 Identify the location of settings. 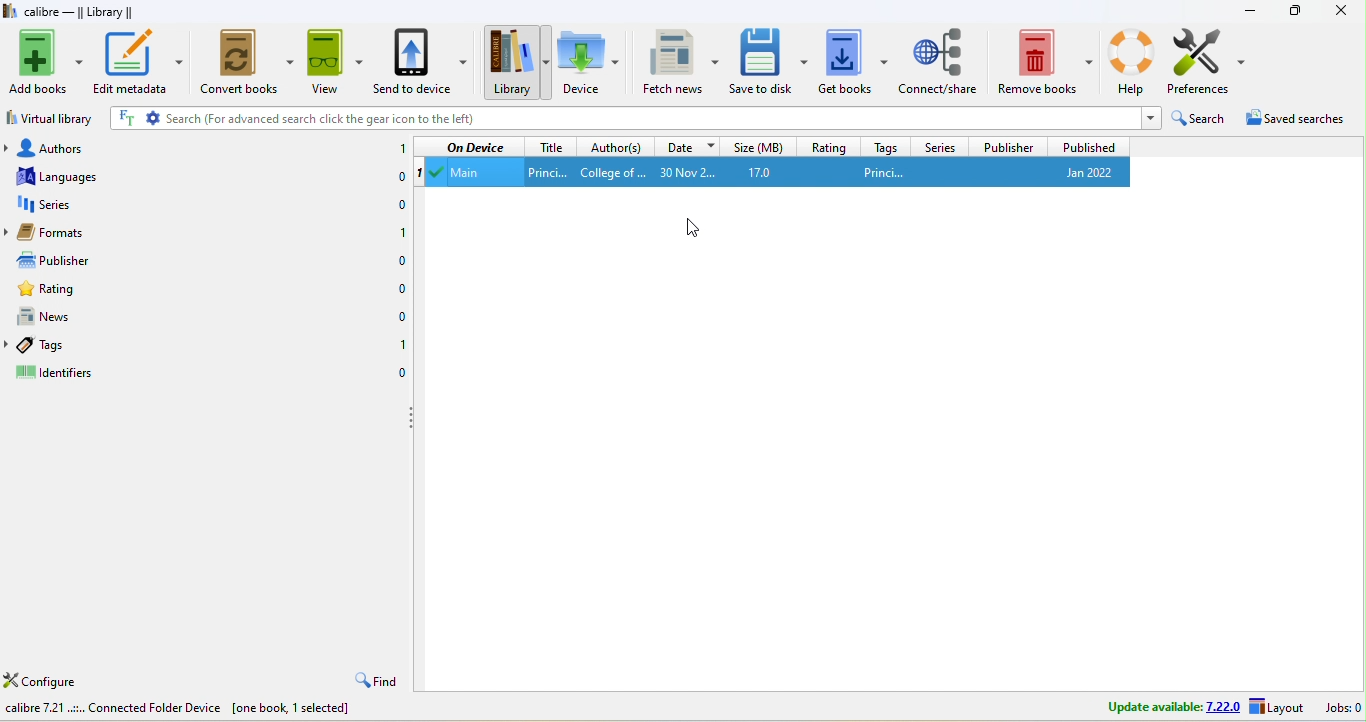
(153, 118).